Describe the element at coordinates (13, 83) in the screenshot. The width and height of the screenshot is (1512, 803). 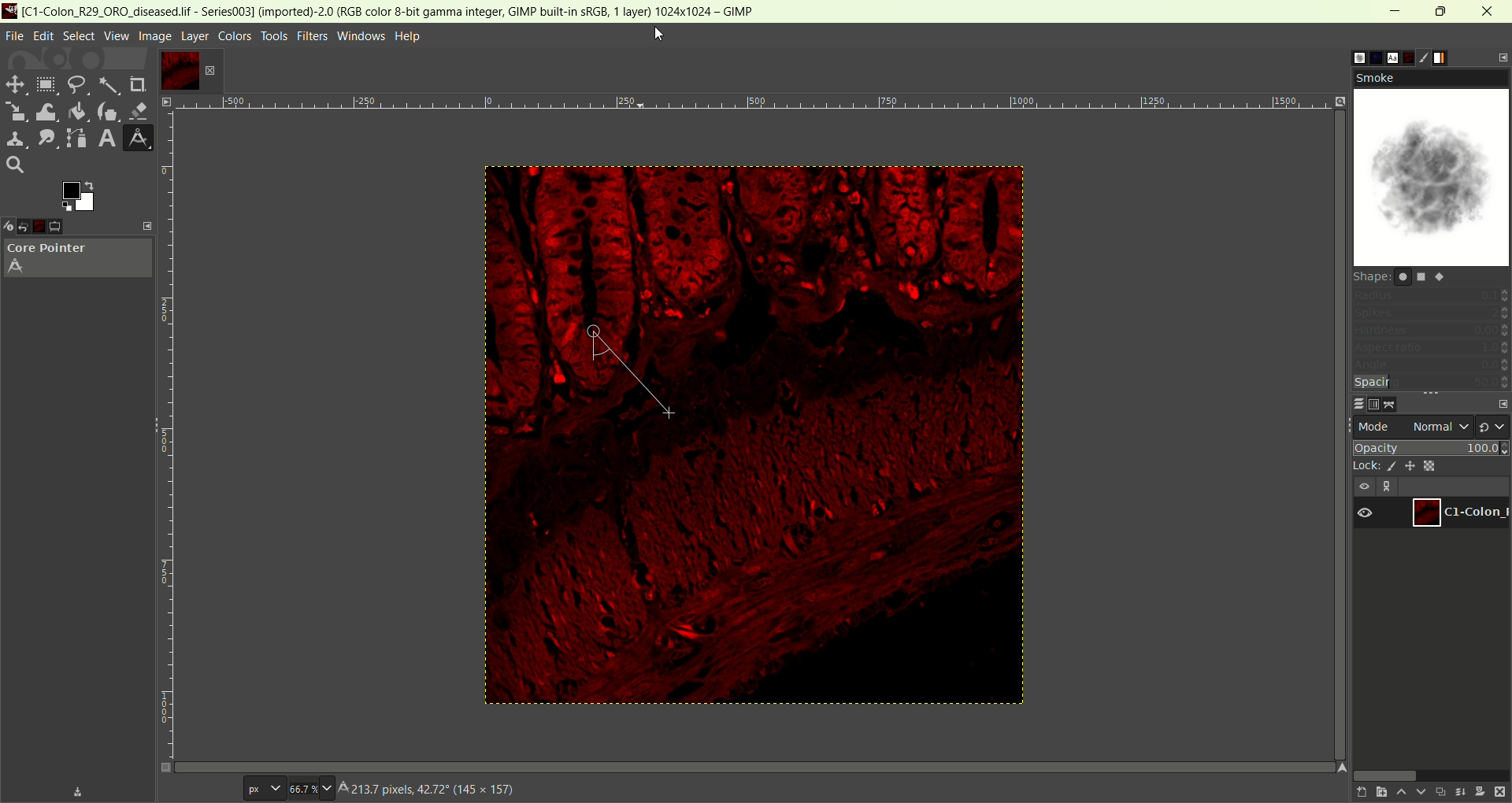
I see `move tool` at that location.